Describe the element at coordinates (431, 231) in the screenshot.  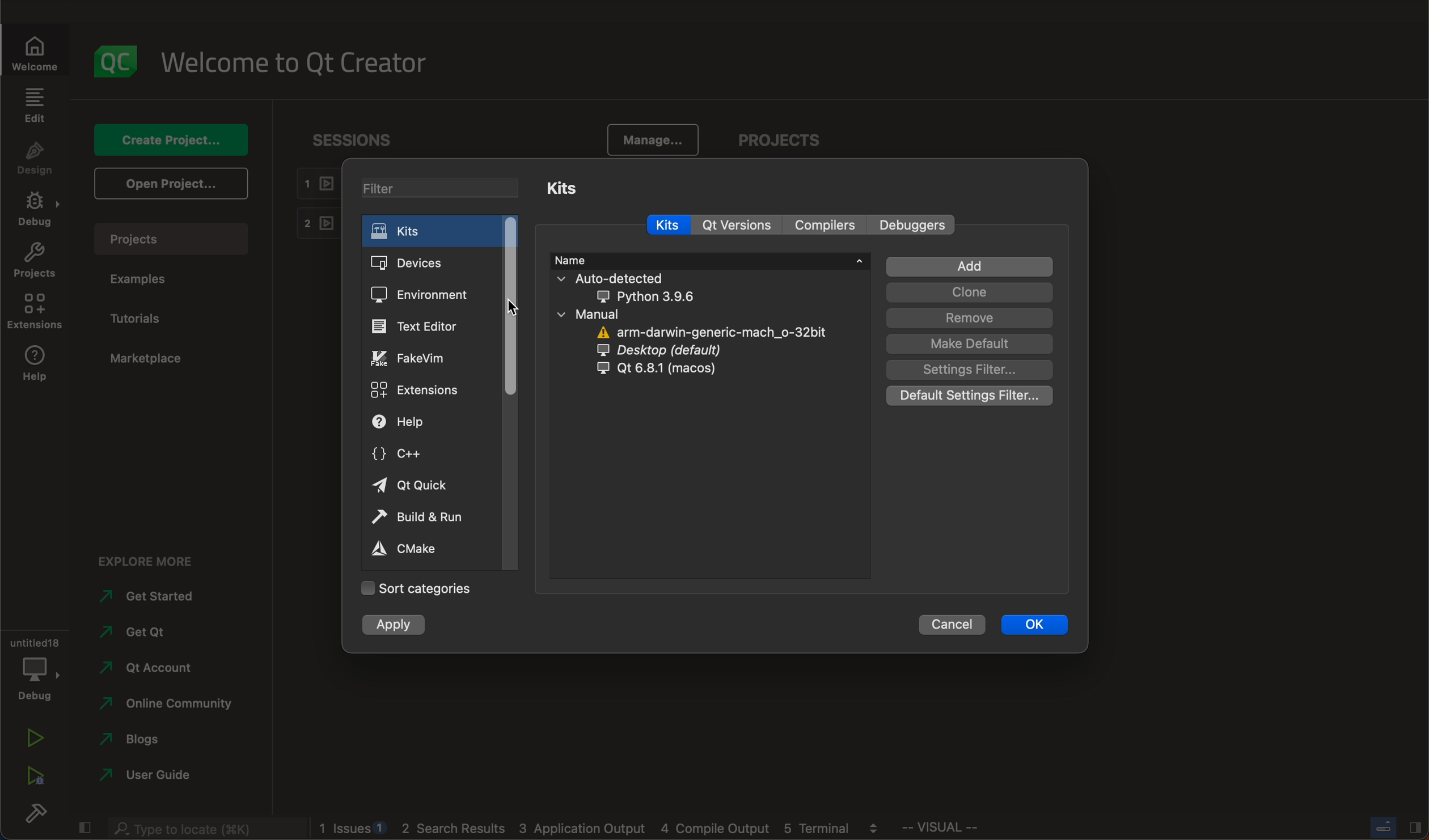
I see `kits` at that location.